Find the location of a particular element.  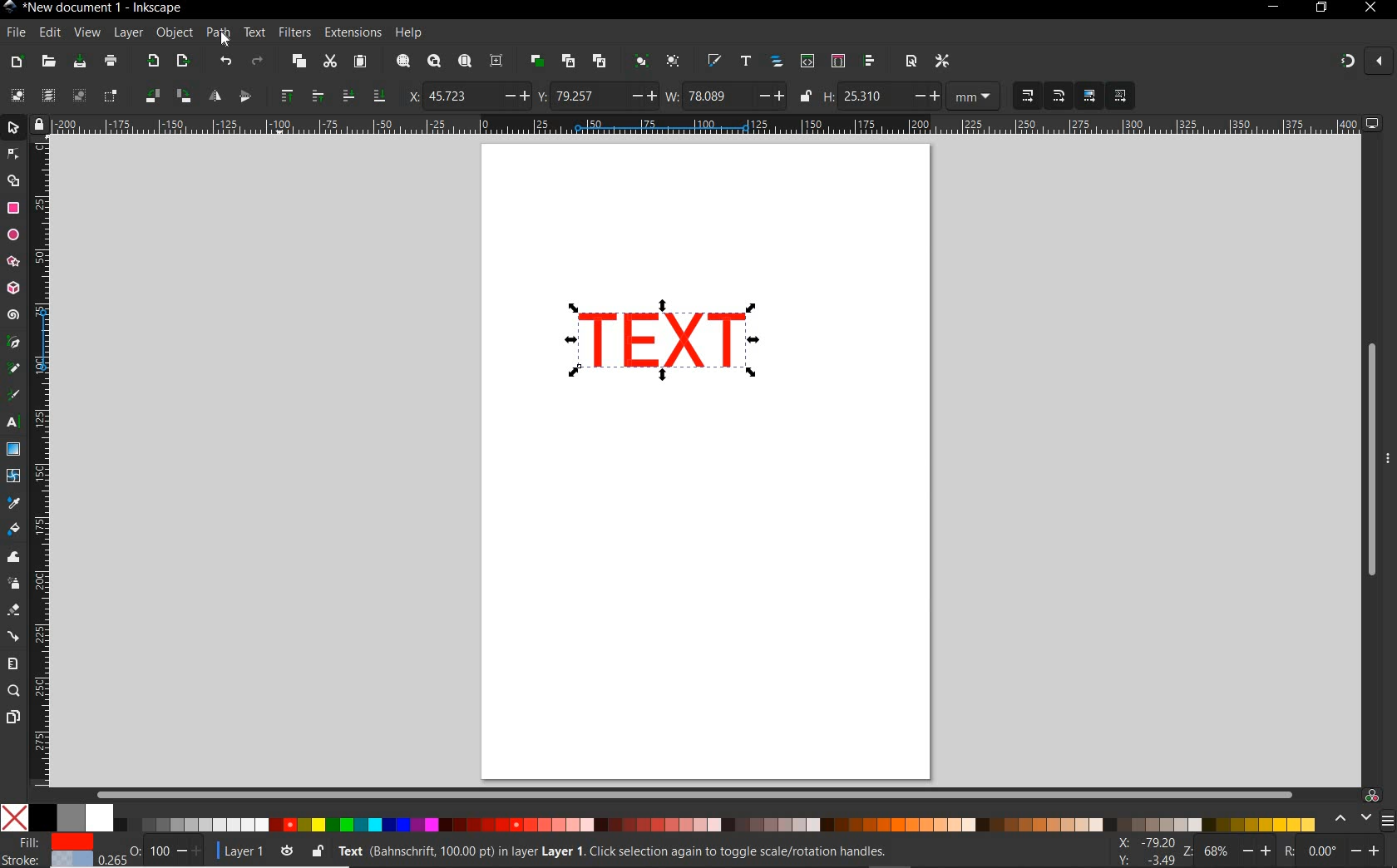

LOWER SELECTION is located at coordinates (362, 96).